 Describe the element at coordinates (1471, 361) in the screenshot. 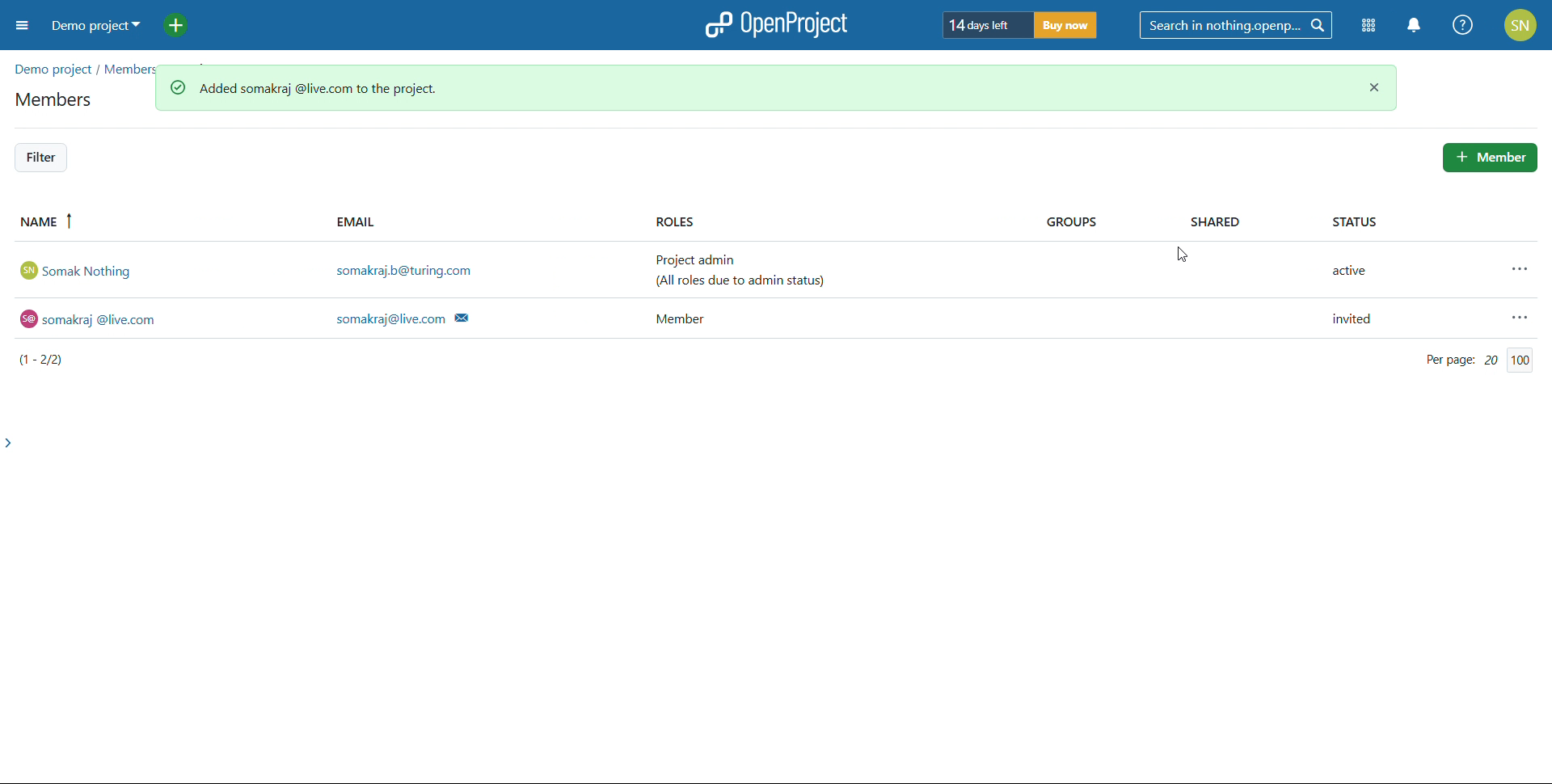

I see `Per page: 20/100` at that location.